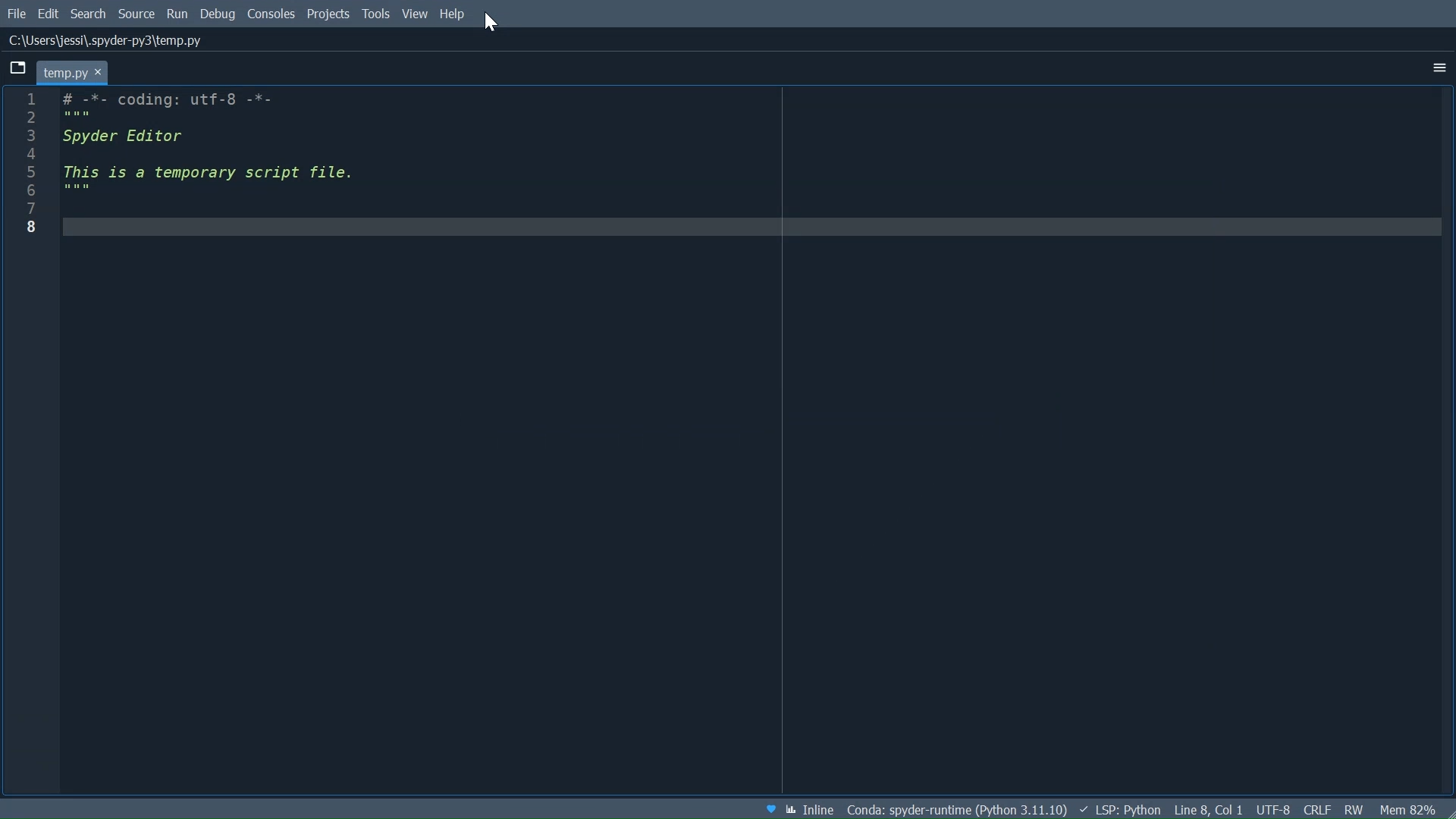  What do you see at coordinates (19, 71) in the screenshot?
I see `Browse tabs` at bounding box center [19, 71].